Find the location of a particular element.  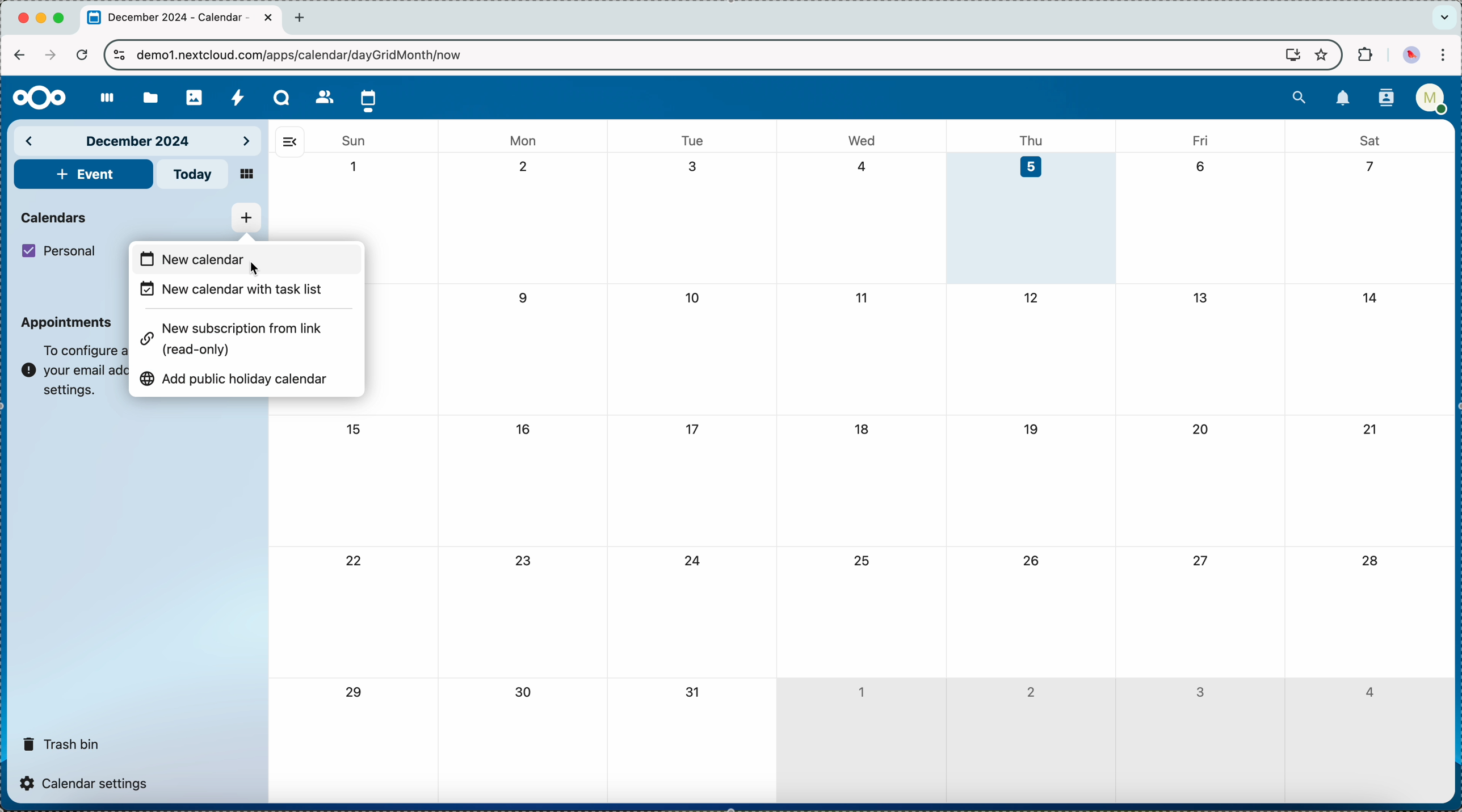

23 is located at coordinates (526, 560).